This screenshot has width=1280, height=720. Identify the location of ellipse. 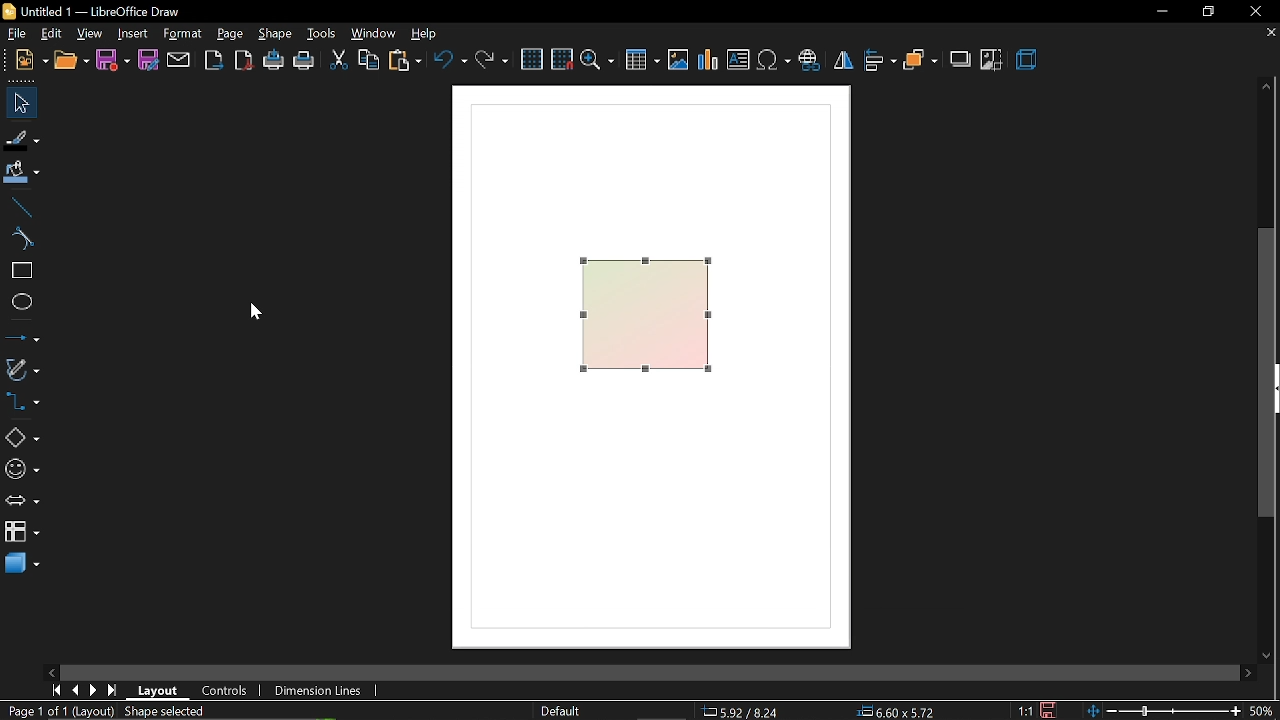
(18, 304).